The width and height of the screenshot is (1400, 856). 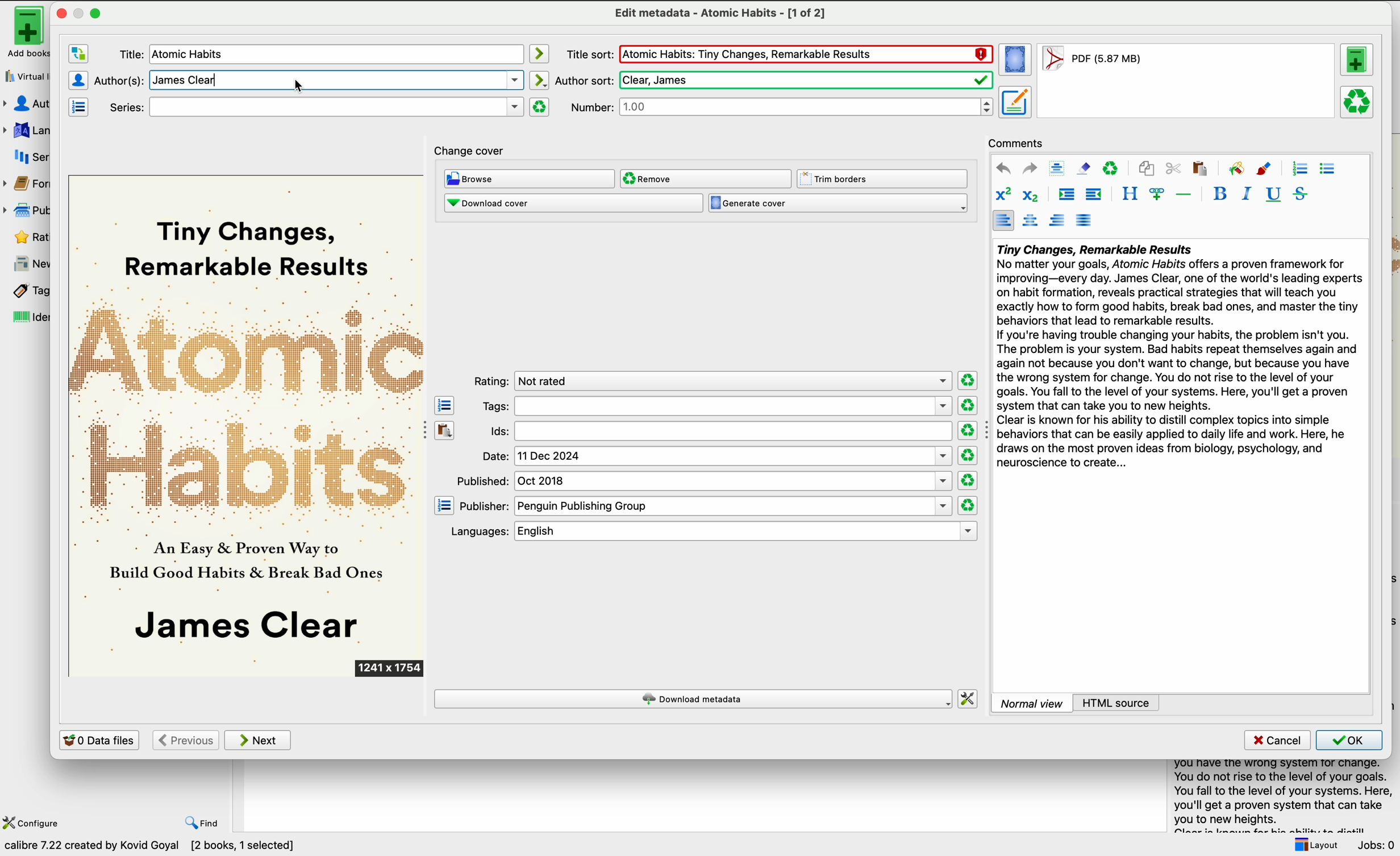 I want to click on published, so click(x=705, y=481).